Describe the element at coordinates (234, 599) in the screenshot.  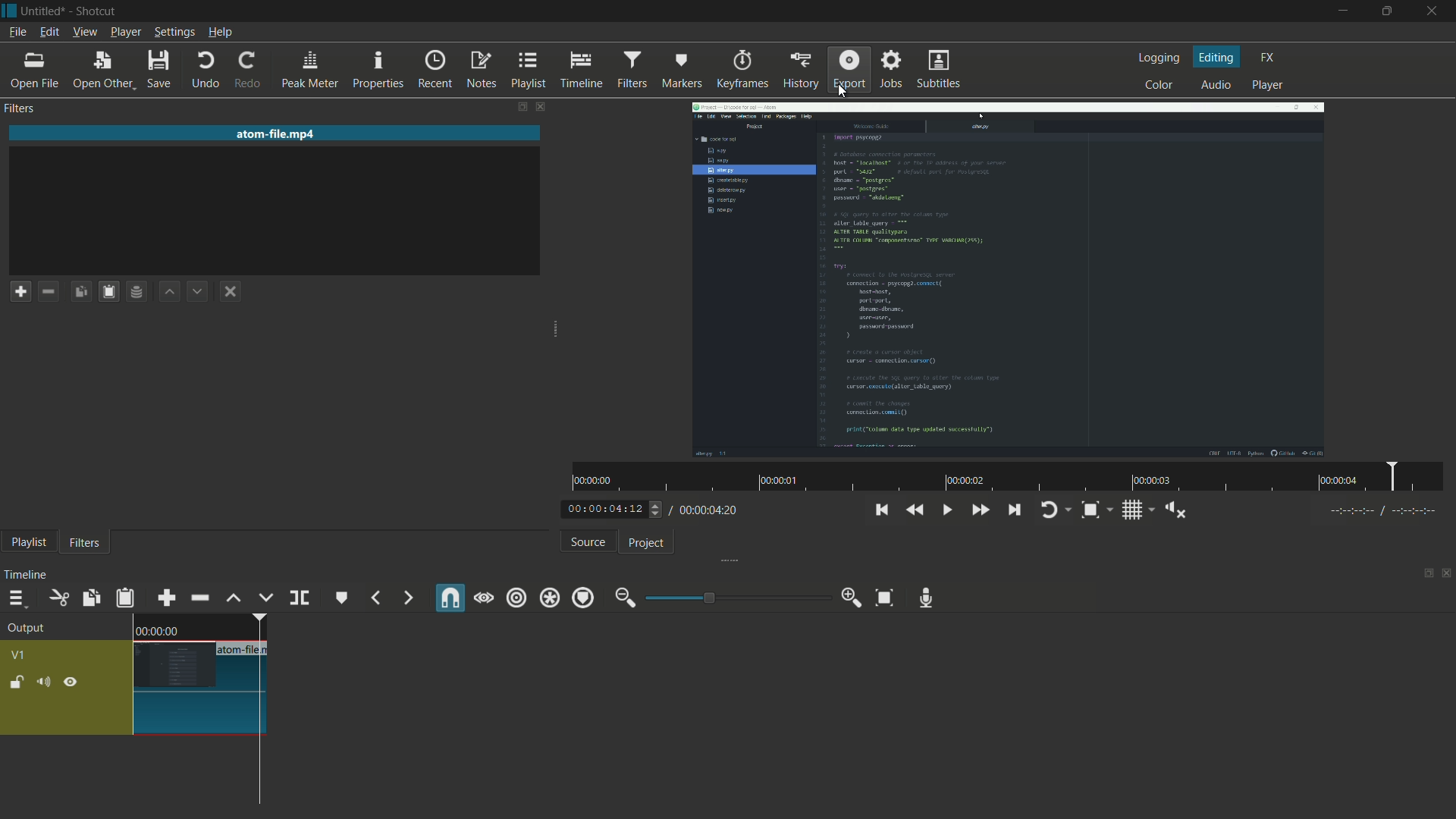
I see `lift` at that location.